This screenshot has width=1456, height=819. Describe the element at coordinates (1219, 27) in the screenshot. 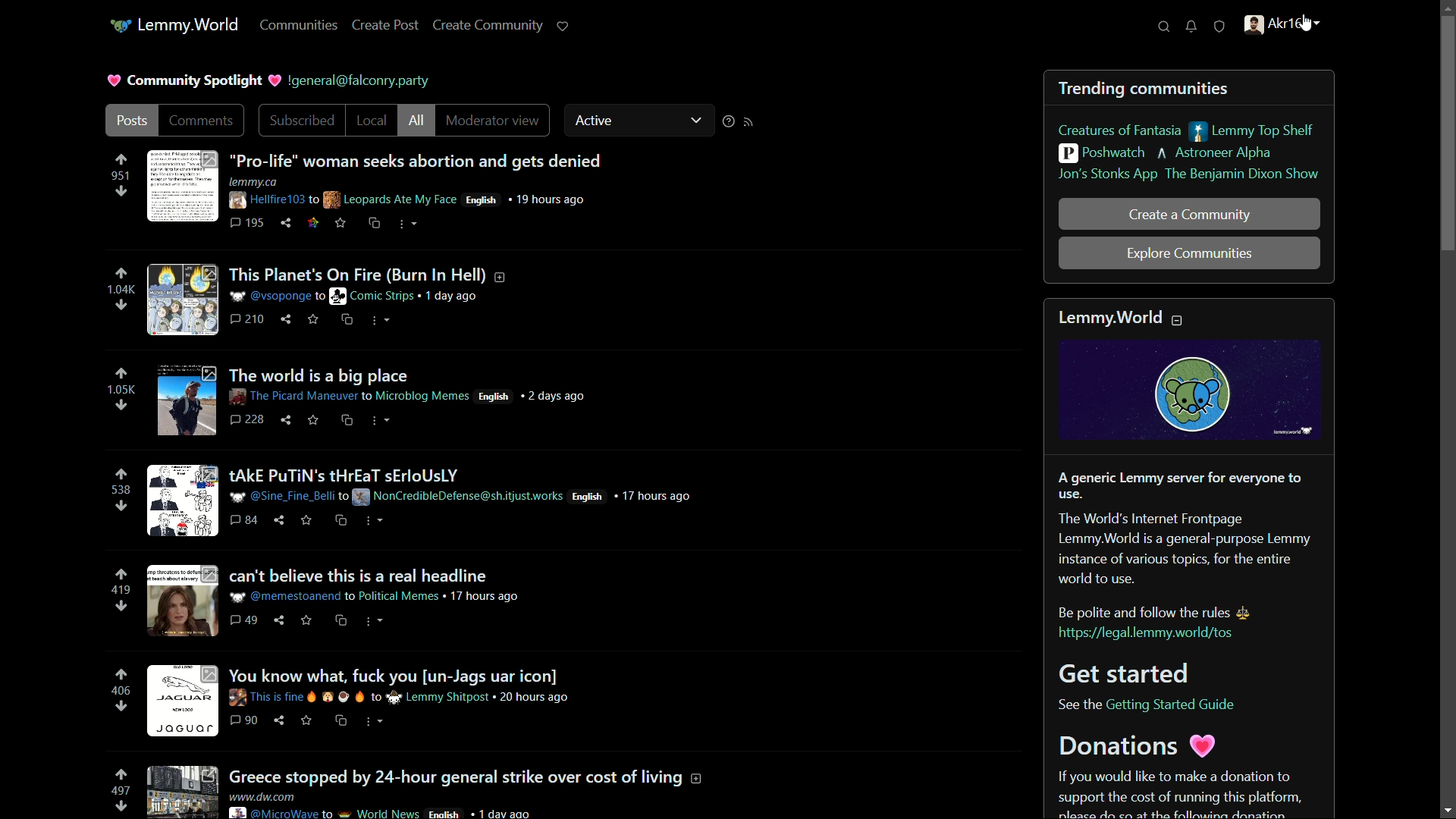

I see `unread reports` at that location.